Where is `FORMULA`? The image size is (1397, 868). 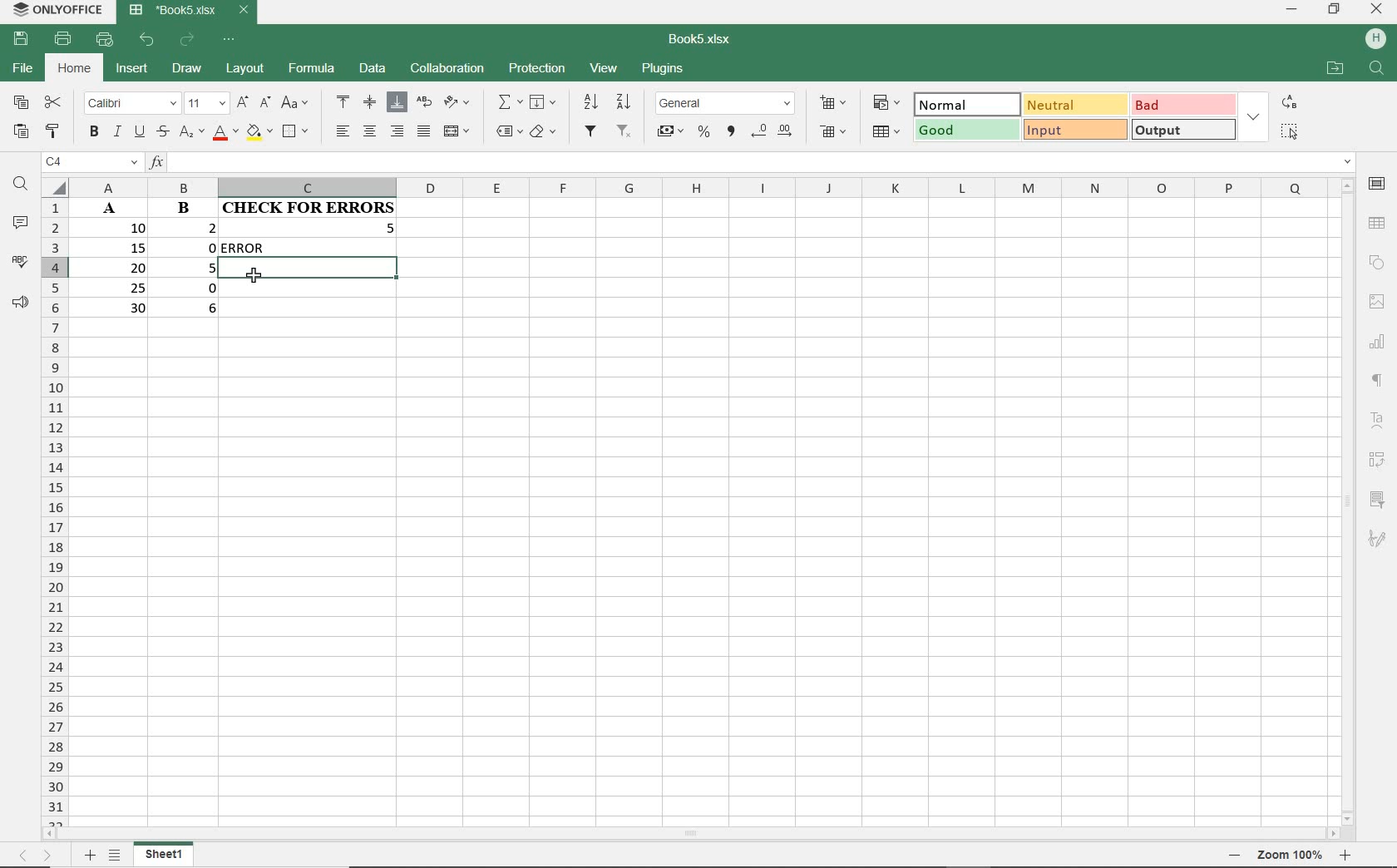 FORMULA is located at coordinates (311, 71).